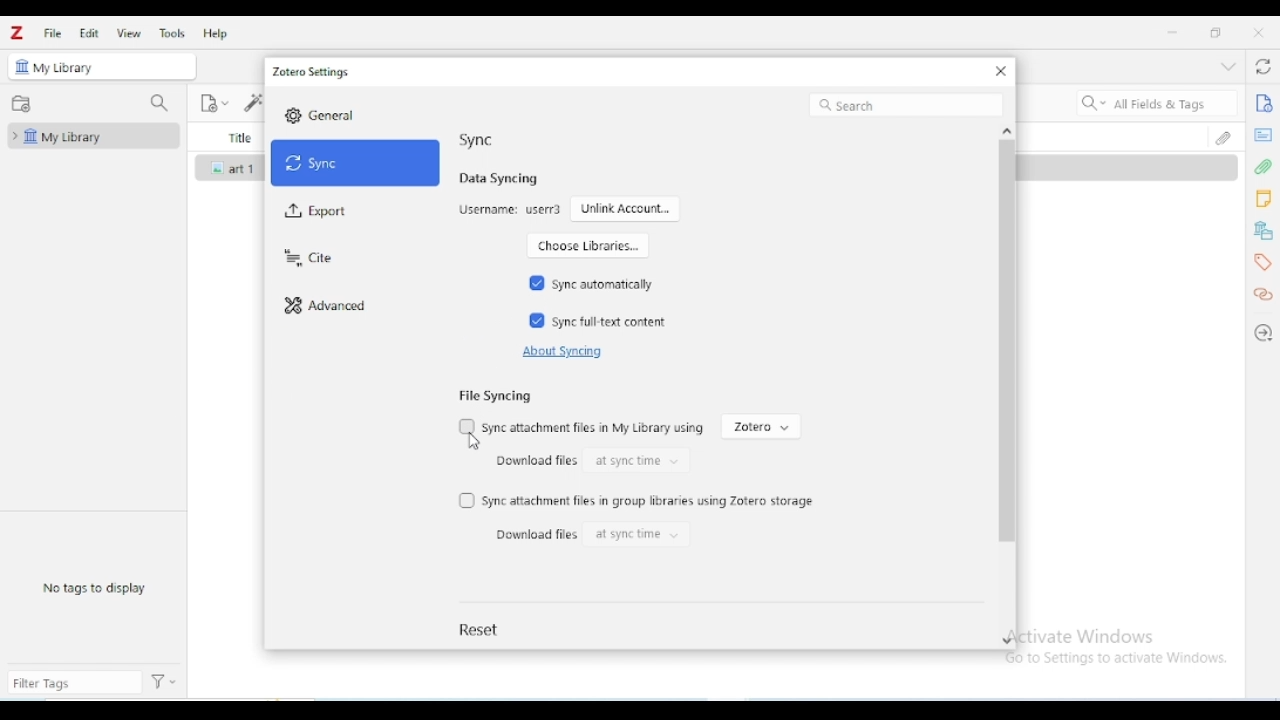  Describe the element at coordinates (761, 427) in the screenshot. I see ` zotero` at that location.